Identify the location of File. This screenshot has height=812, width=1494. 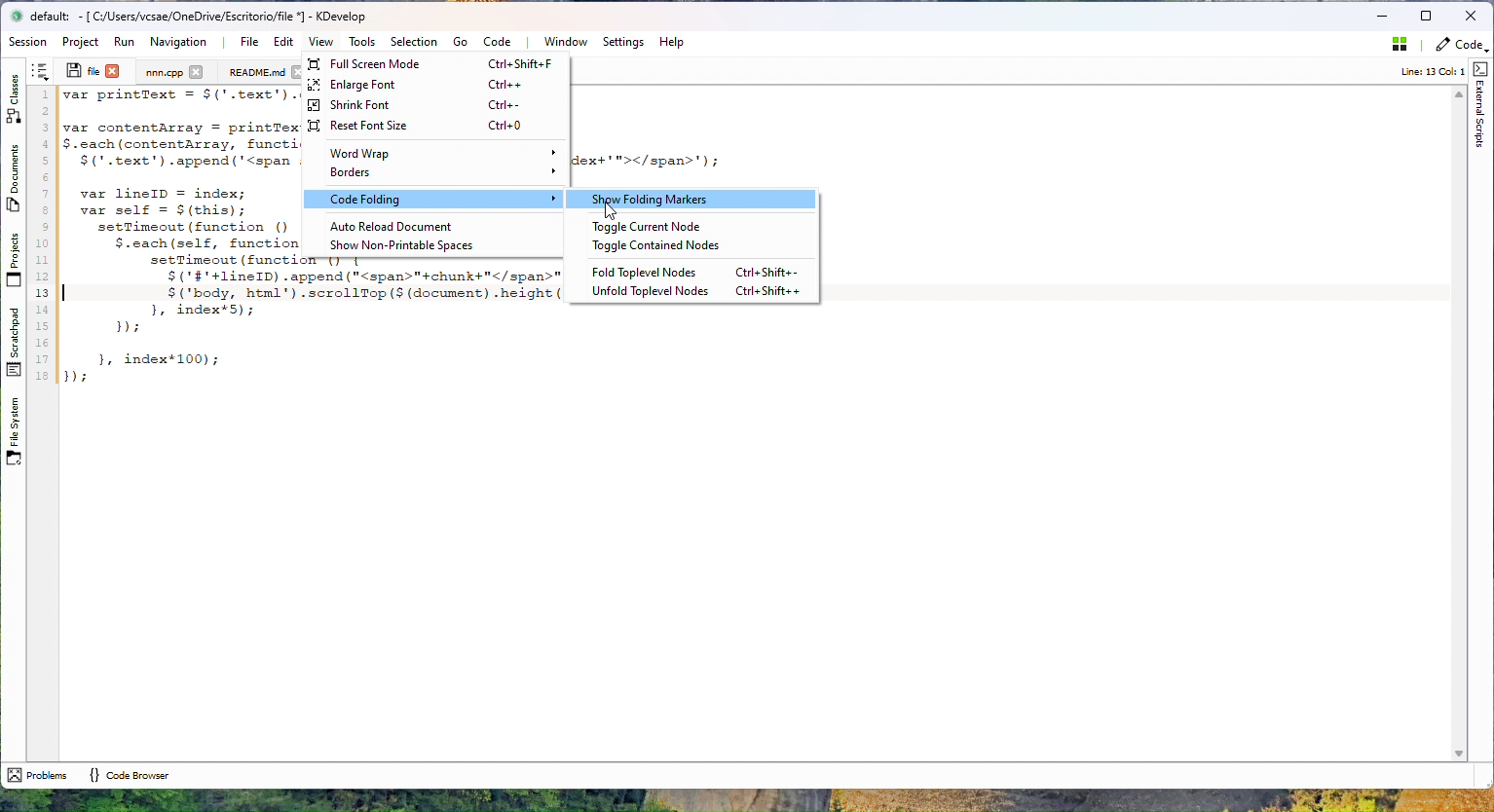
(82, 70).